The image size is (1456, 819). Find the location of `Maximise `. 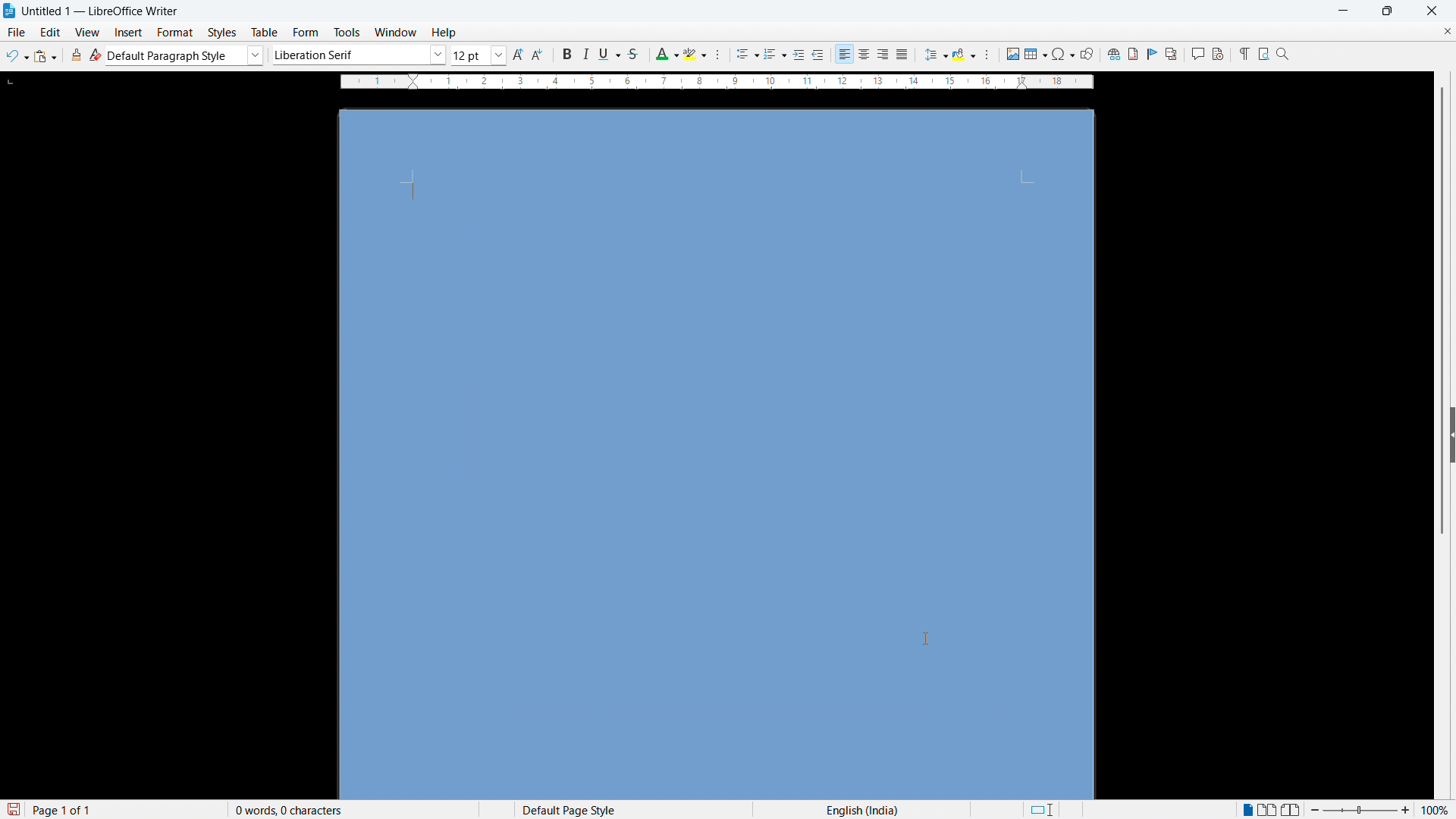

Maximise  is located at coordinates (1388, 11).